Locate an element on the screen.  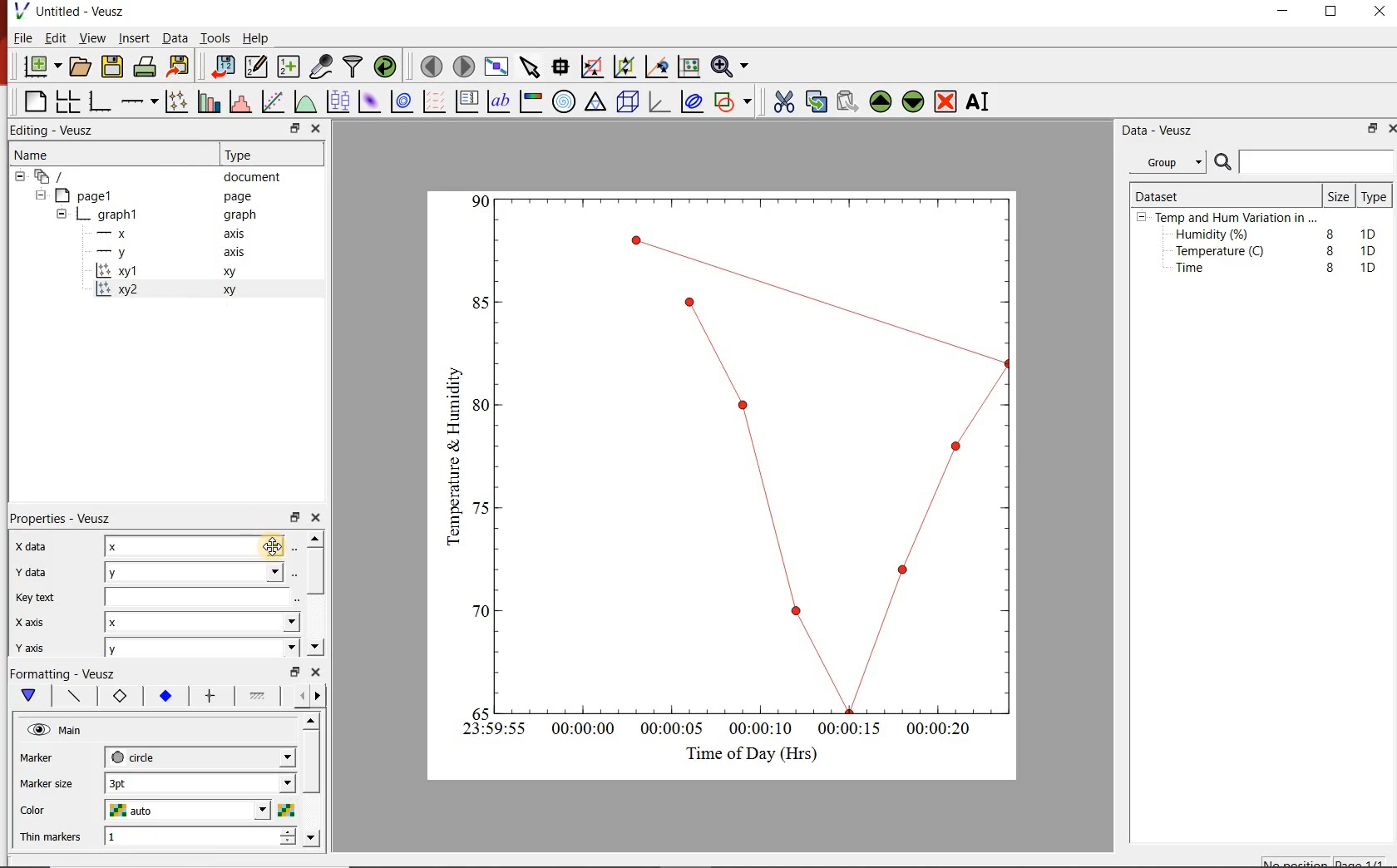
plot a 2d dataset as contours is located at coordinates (406, 102).